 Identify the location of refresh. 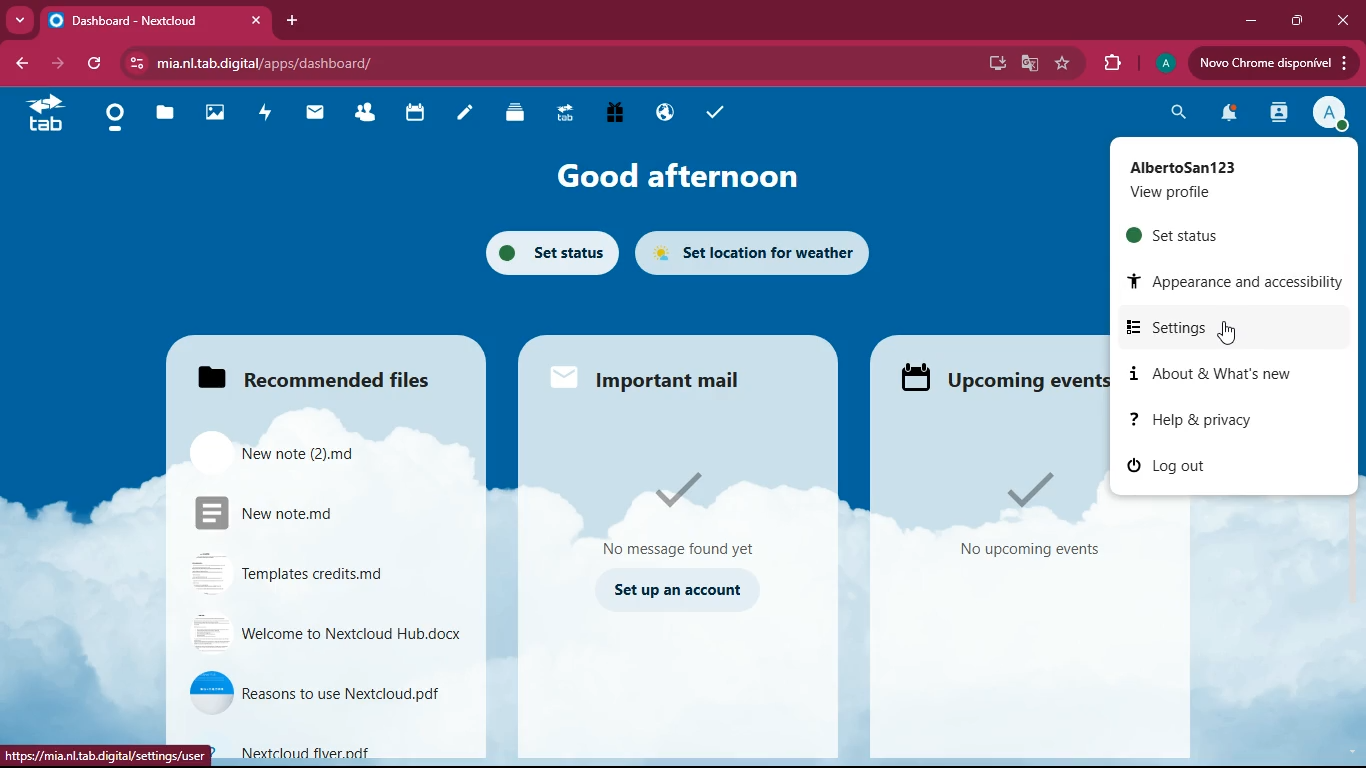
(93, 65).